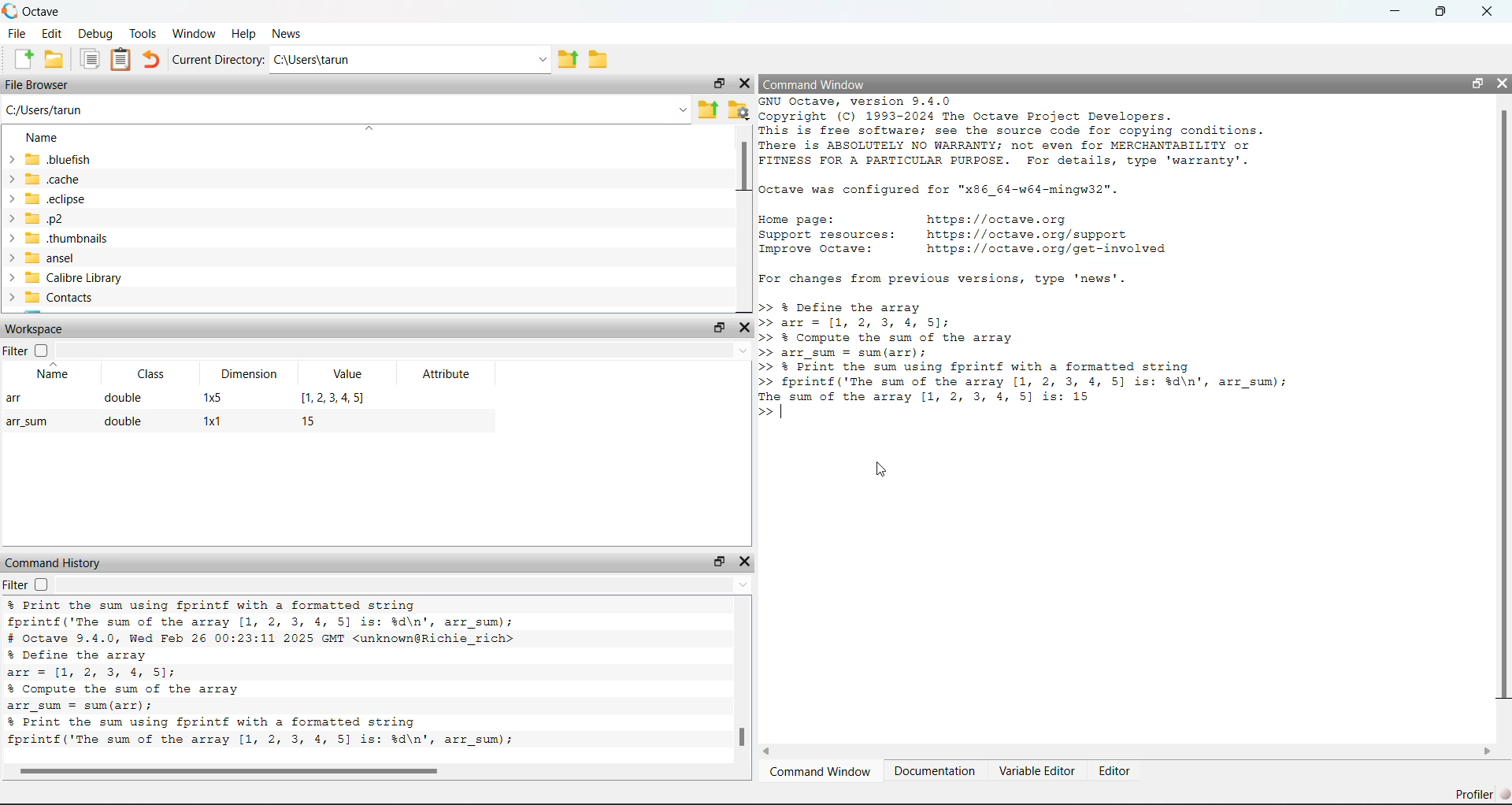  Describe the element at coordinates (24, 58) in the screenshot. I see `New Script` at that location.